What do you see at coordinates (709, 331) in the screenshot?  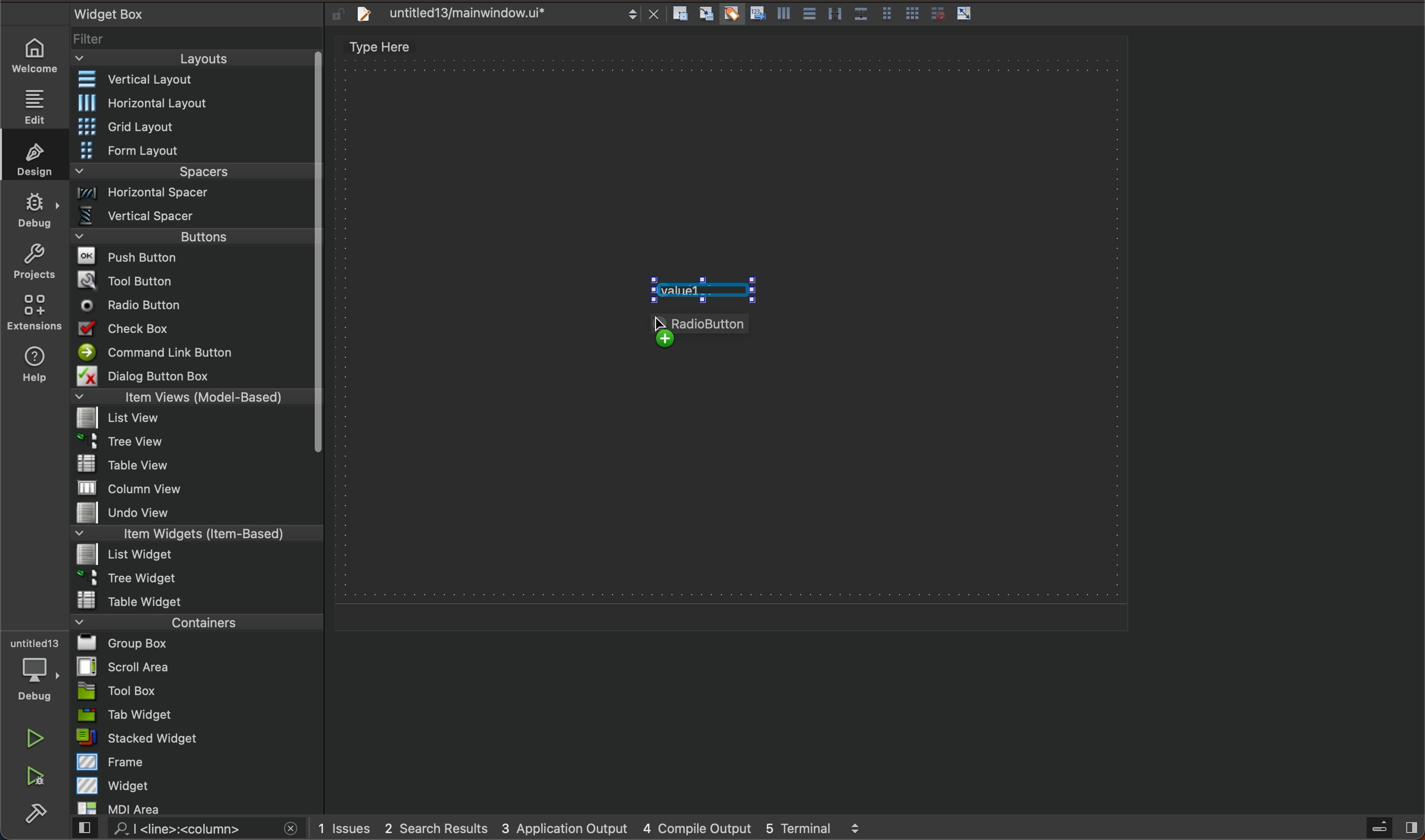 I see `on drag to` at bounding box center [709, 331].